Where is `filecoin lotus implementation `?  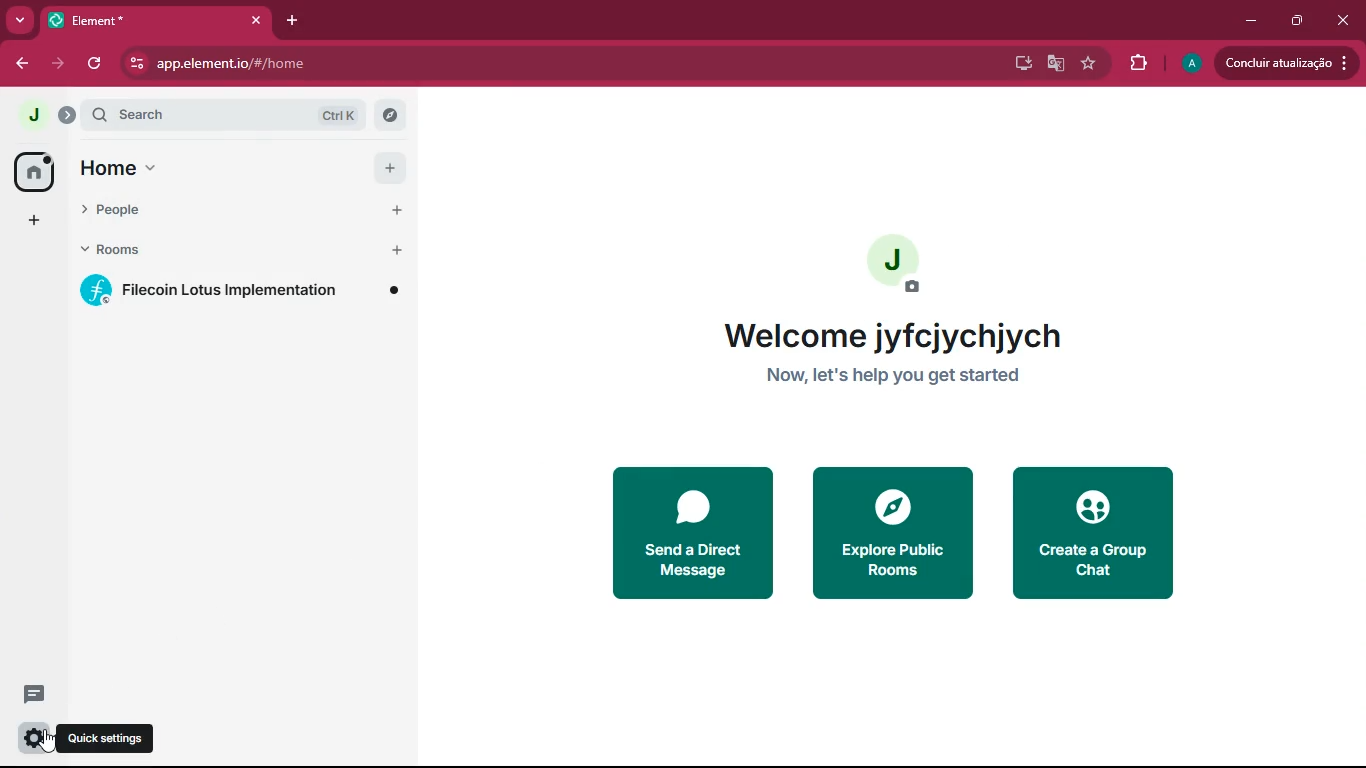 filecoin lotus implementation  is located at coordinates (246, 291).